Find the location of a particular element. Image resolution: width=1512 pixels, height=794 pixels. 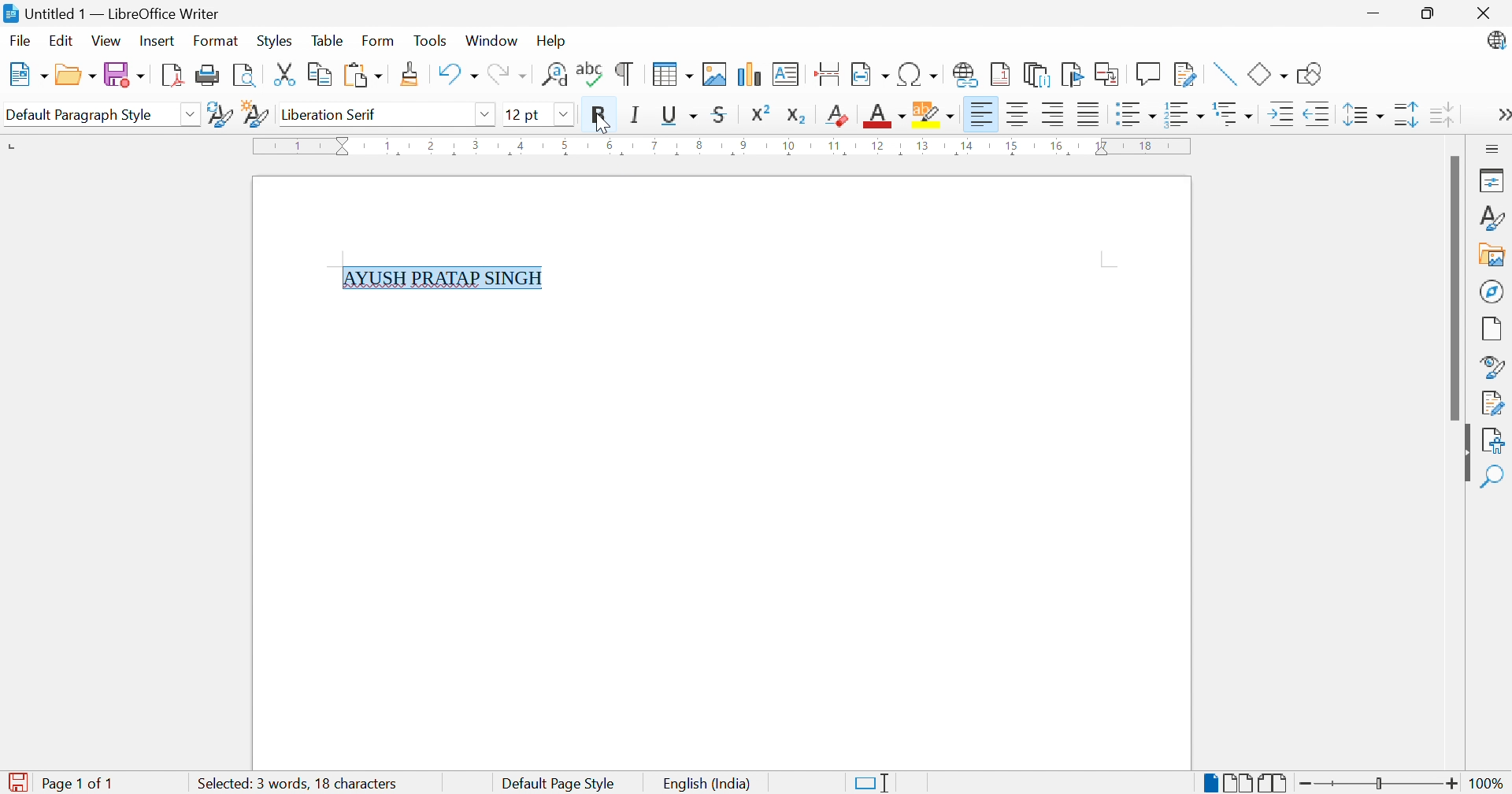

Zoom In is located at coordinates (1452, 782).